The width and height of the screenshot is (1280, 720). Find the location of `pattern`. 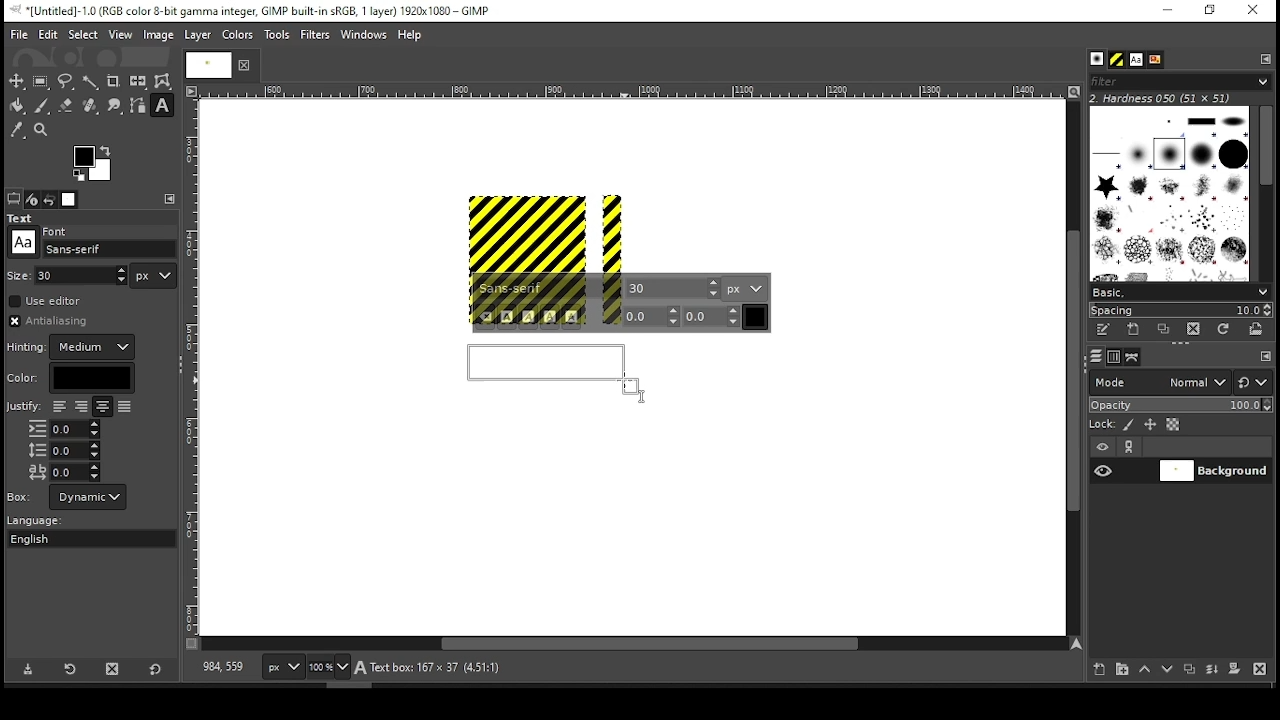

pattern is located at coordinates (1117, 60).